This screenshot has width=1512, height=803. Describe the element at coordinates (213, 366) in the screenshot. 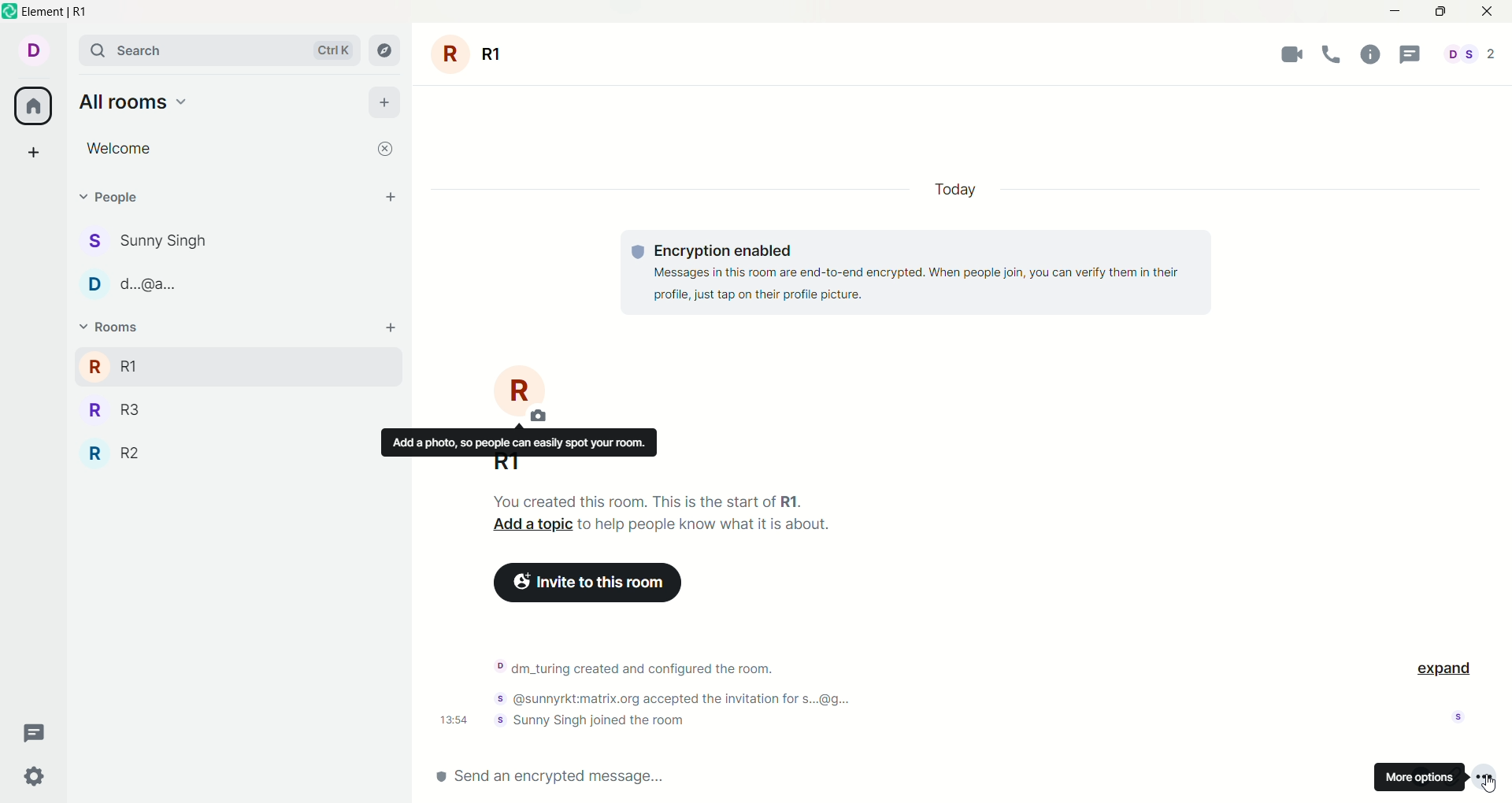

I see `R1 room` at that location.